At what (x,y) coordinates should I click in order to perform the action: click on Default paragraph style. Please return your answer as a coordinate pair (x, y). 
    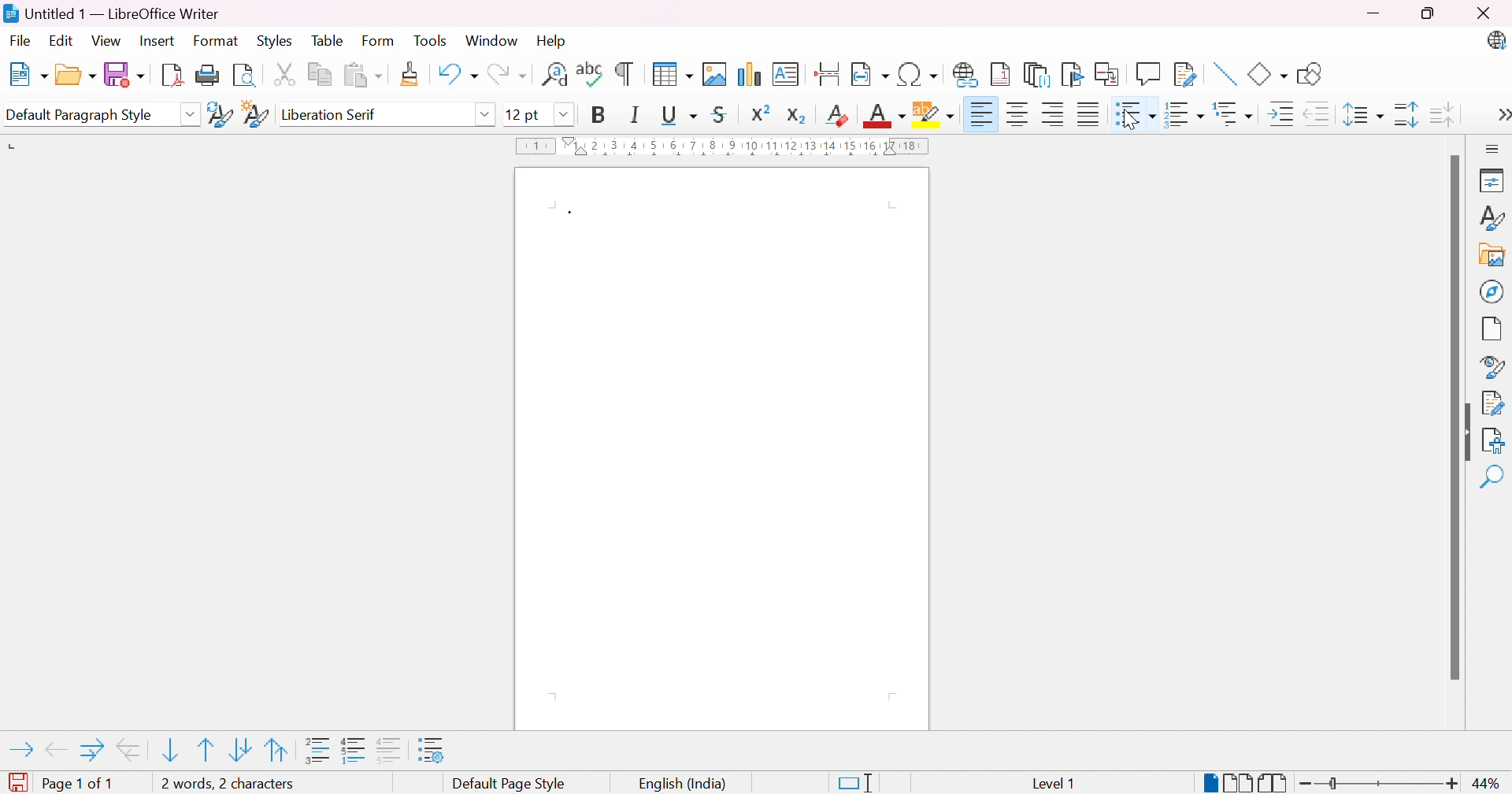
    Looking at the image, I should click on (83, 117).